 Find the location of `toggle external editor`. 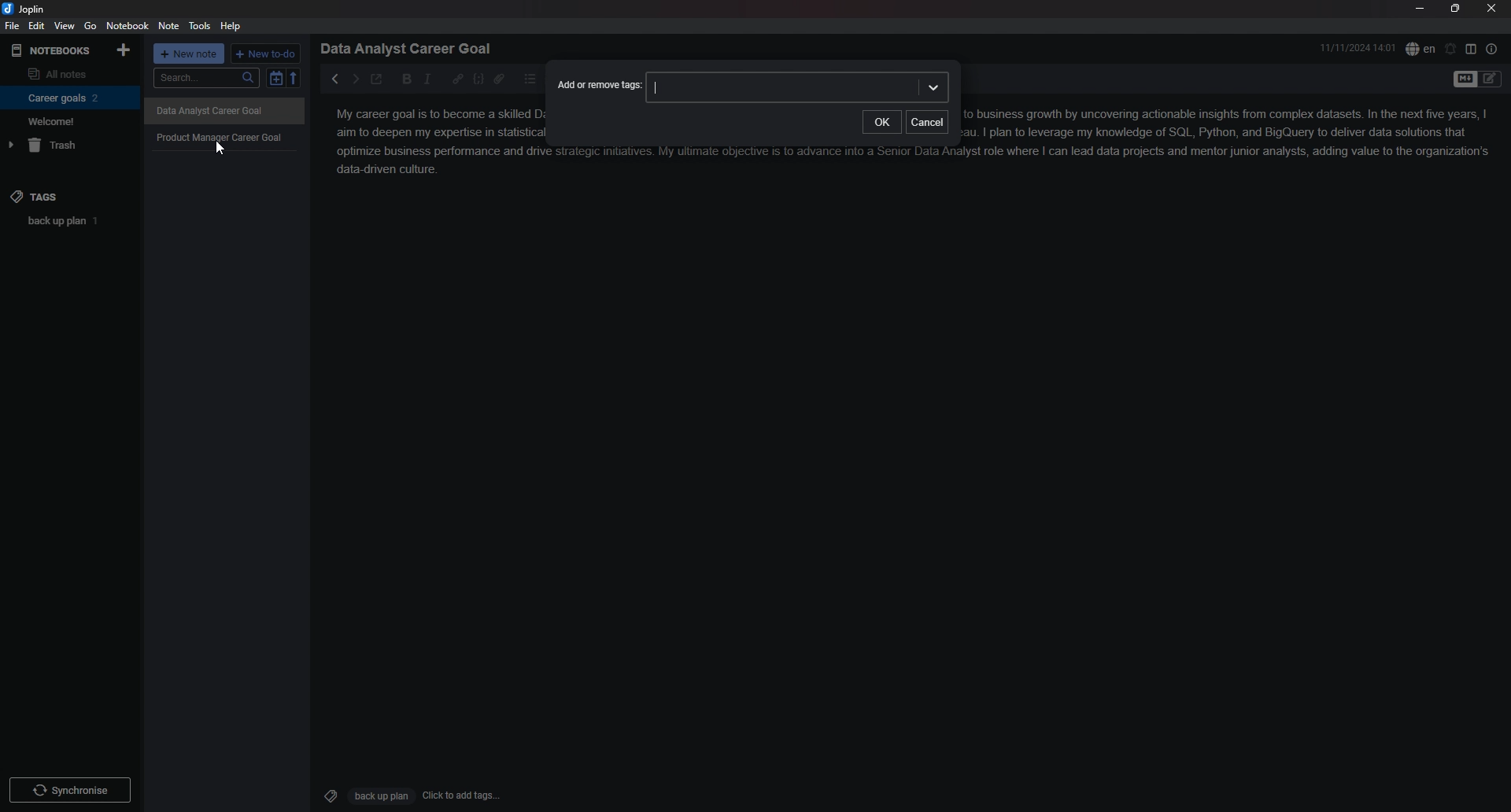

toggle external editor is located at coordinates (378, 79).